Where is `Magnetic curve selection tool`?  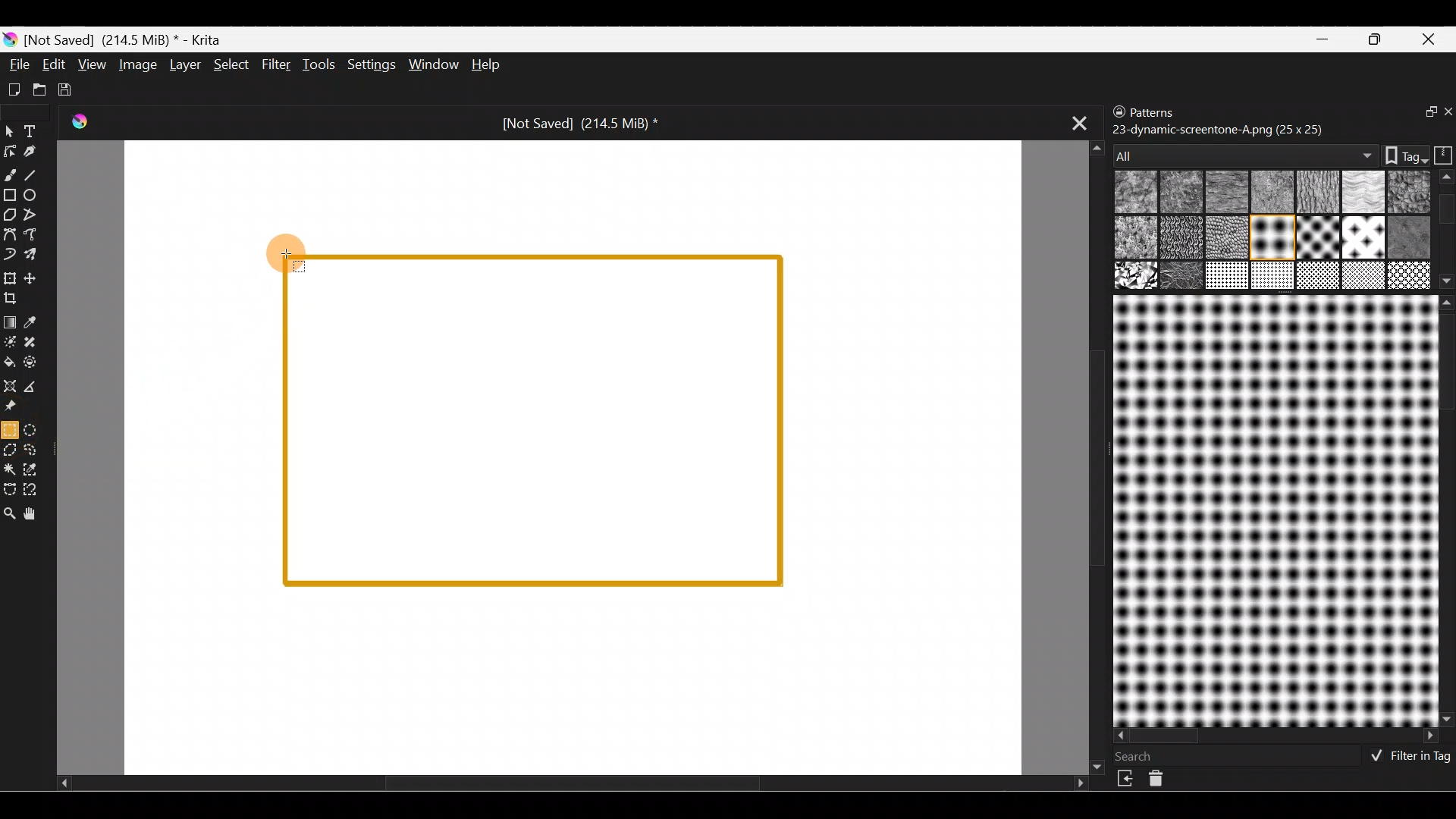
Magnetic curve selection tool is located at coordinates (41, 490).